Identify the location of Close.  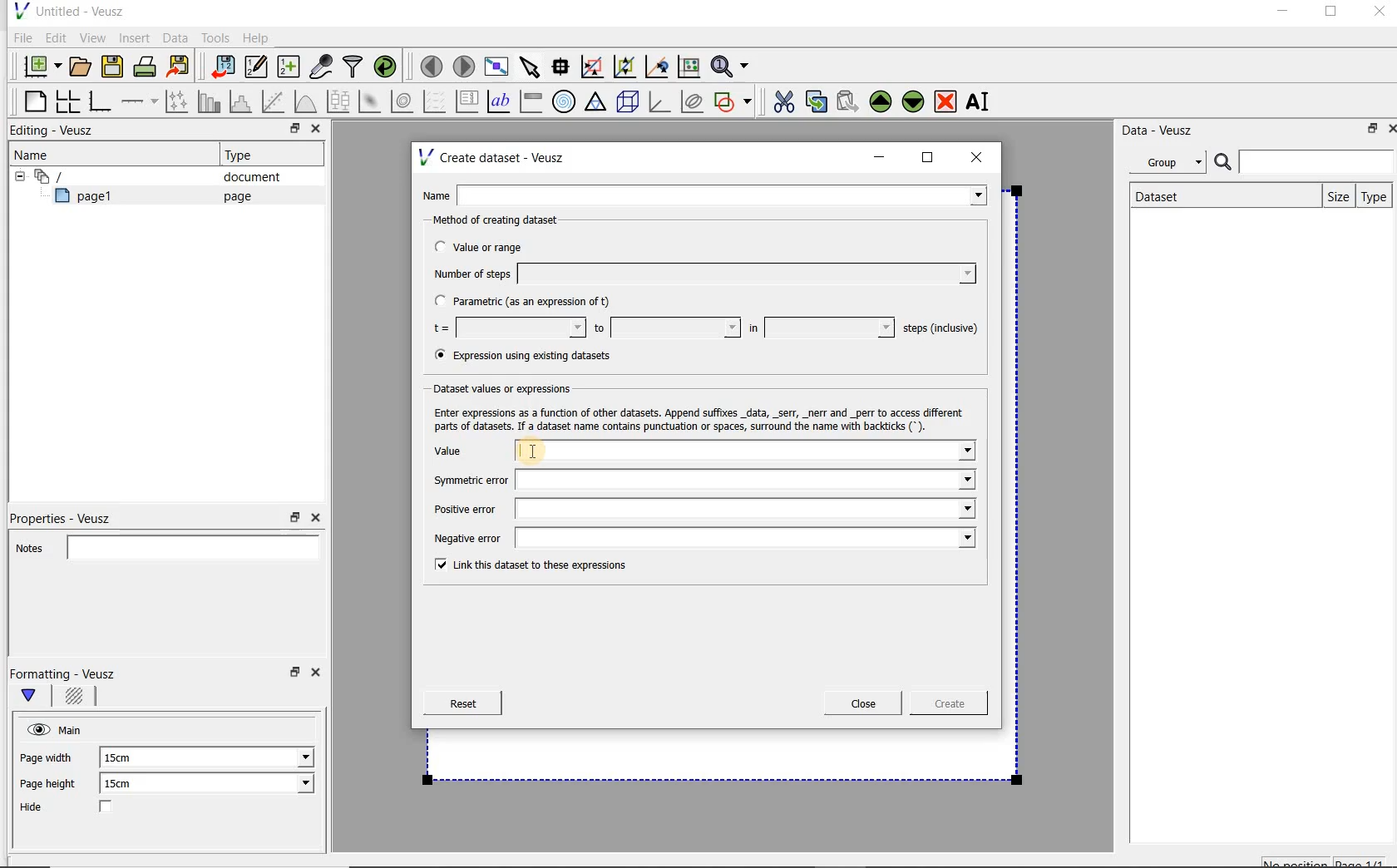
(1378, 14).